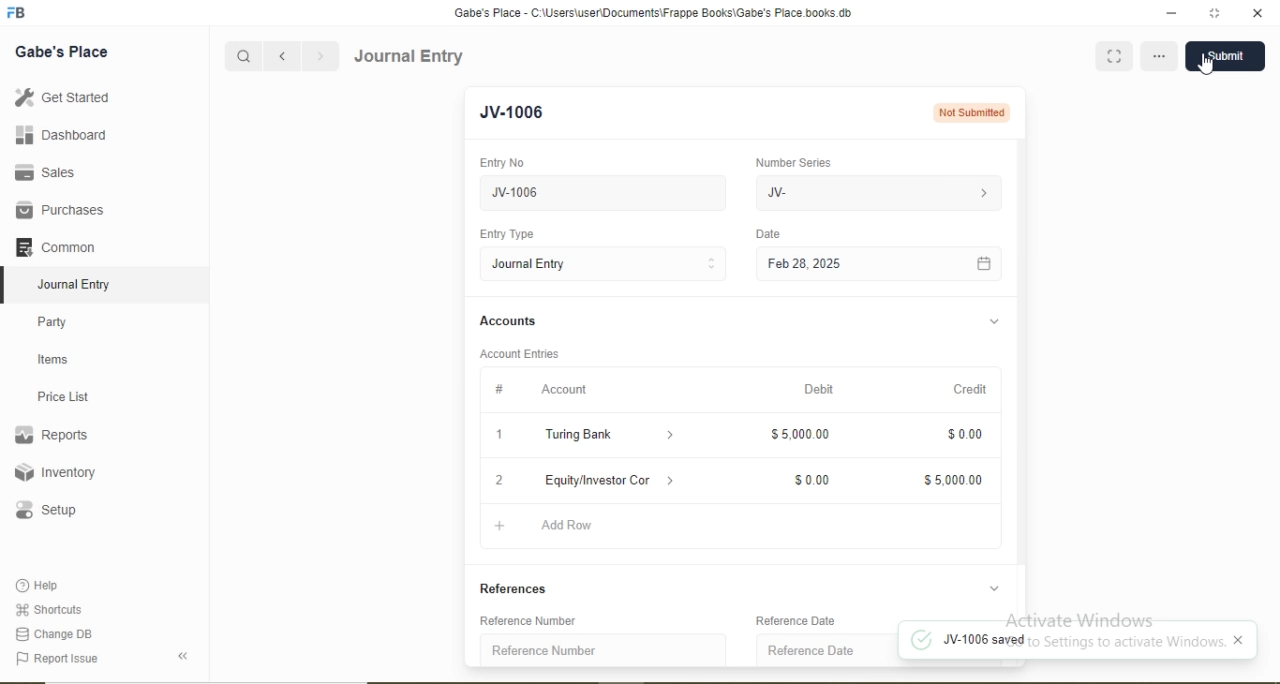  What do you see at coordinates (531, 264) in the screenshot?
I see `Journal Entry` at bounding box center [531, 264].